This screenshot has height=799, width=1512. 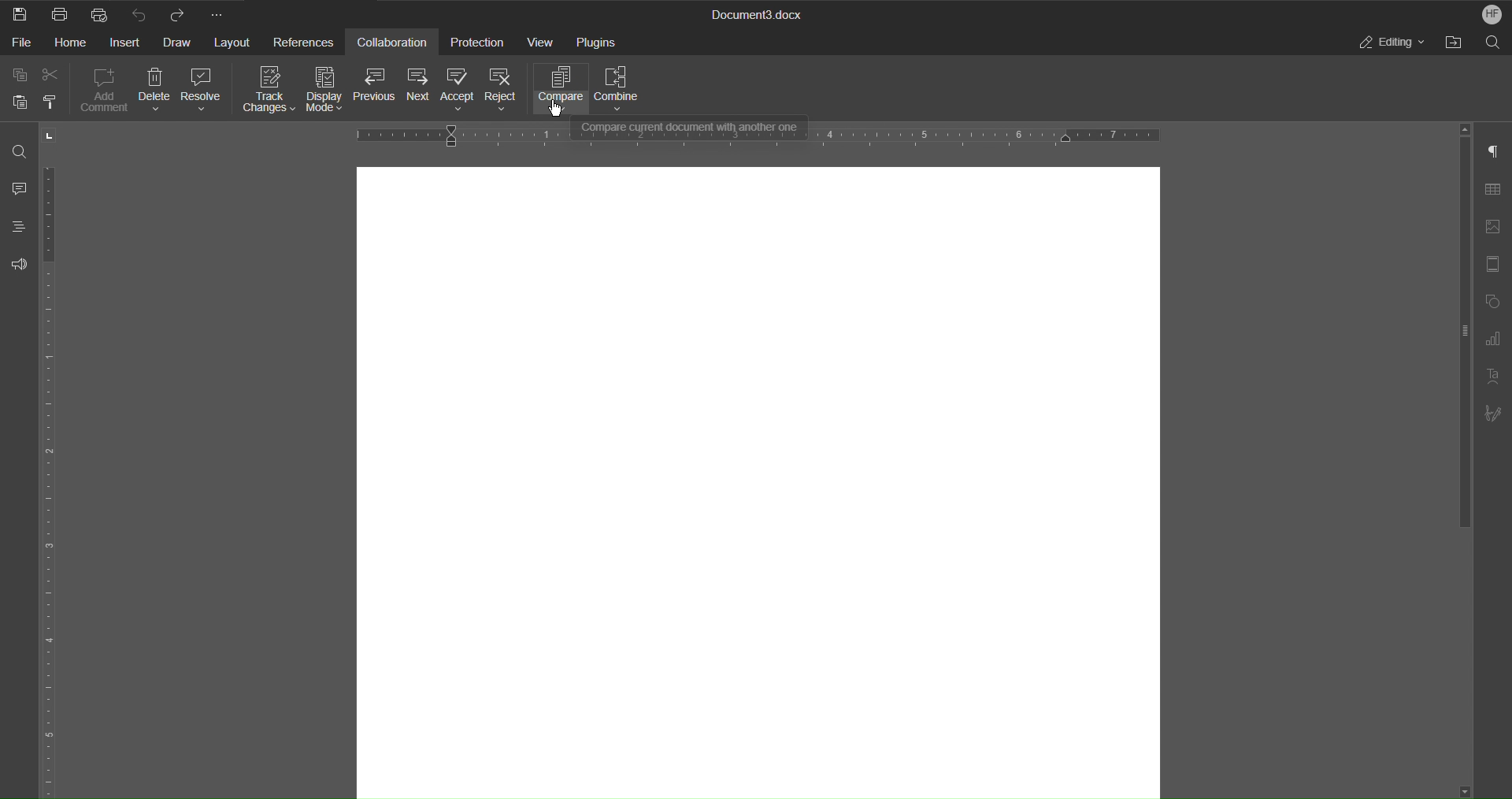 I want to click on Search, so click(x=1492, y=45).